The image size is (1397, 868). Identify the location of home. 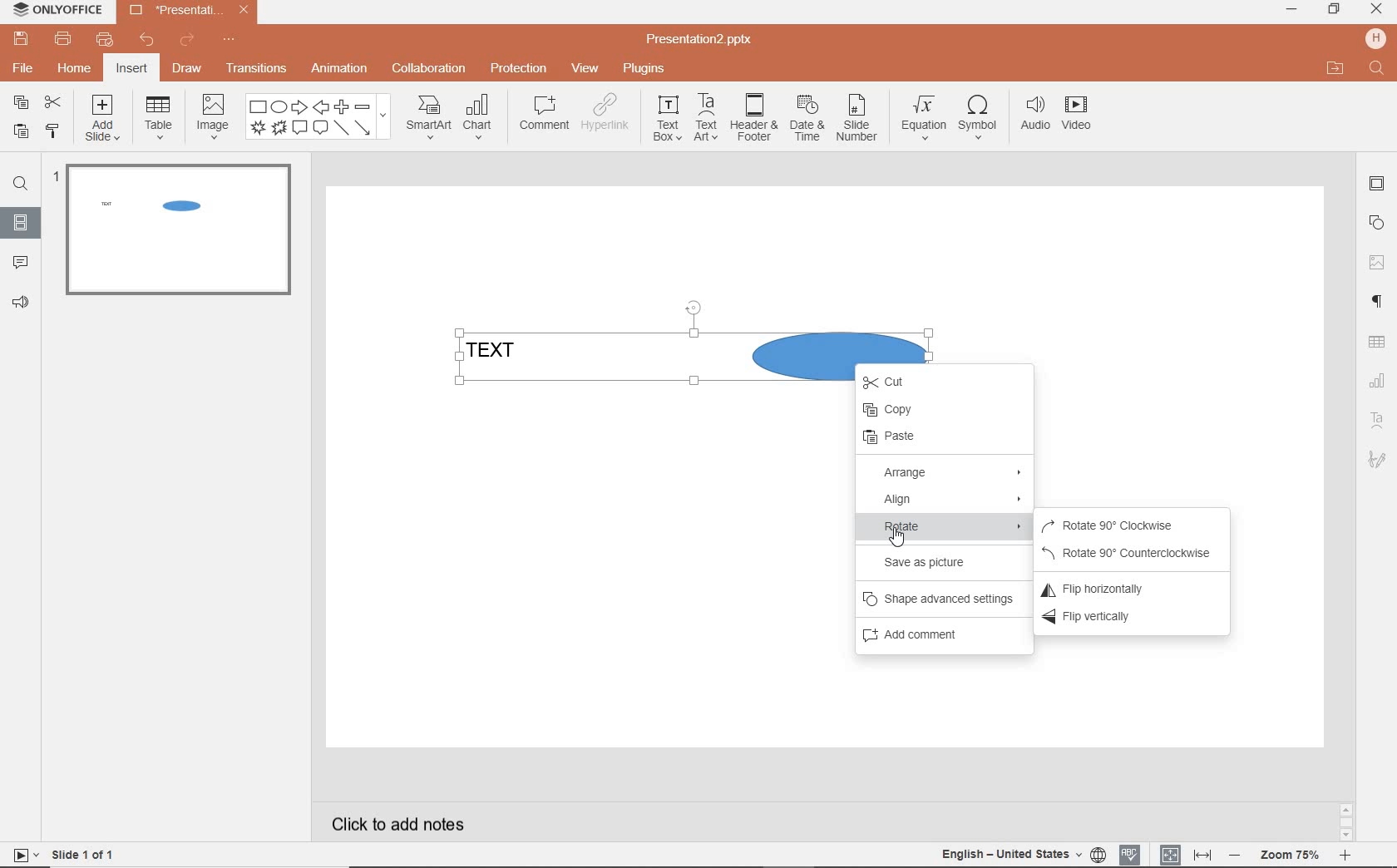
(76, 69).